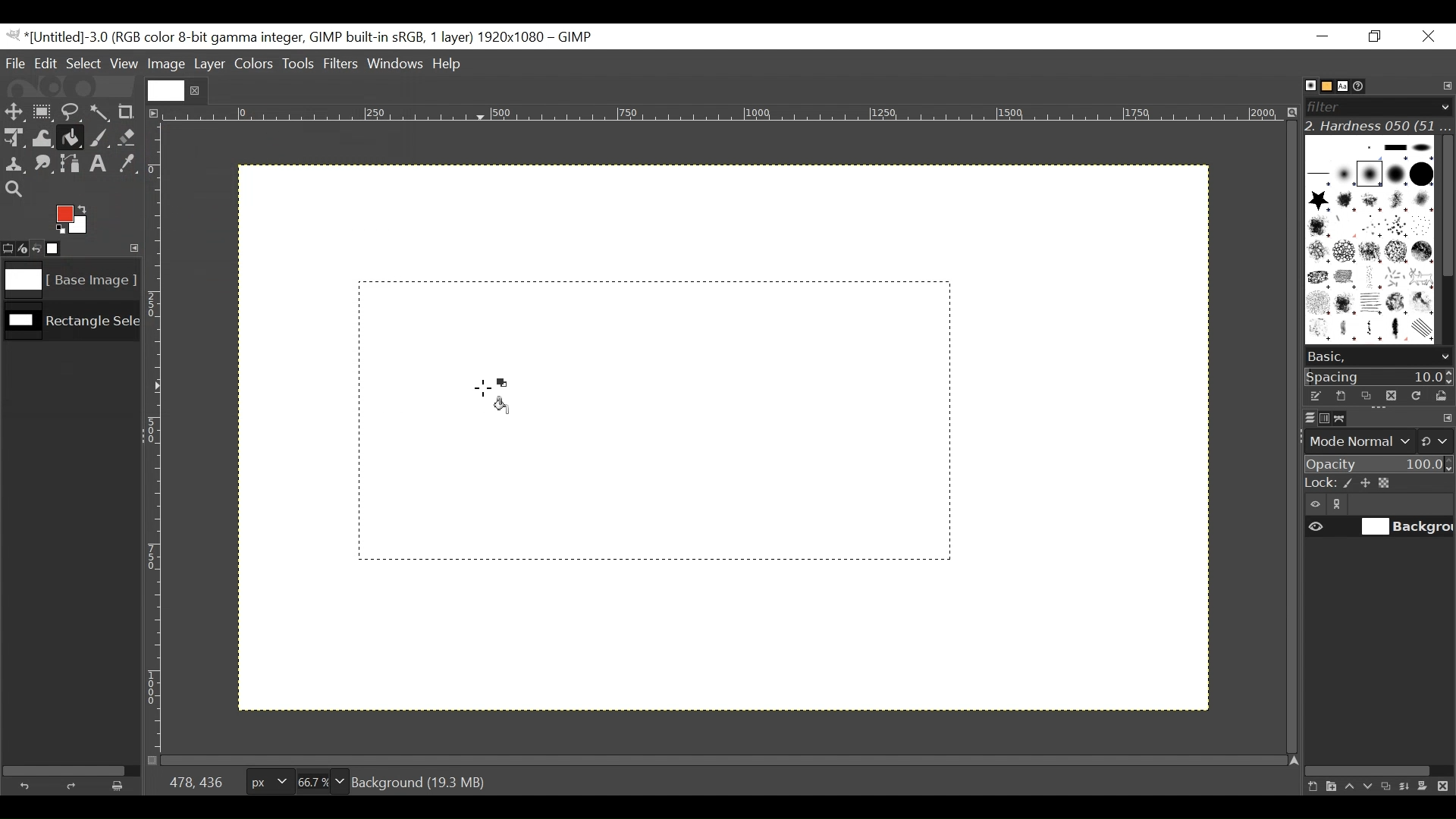  Describe the element at coordinates (503, 383) in the screenshot. I see `Active background` at that location.